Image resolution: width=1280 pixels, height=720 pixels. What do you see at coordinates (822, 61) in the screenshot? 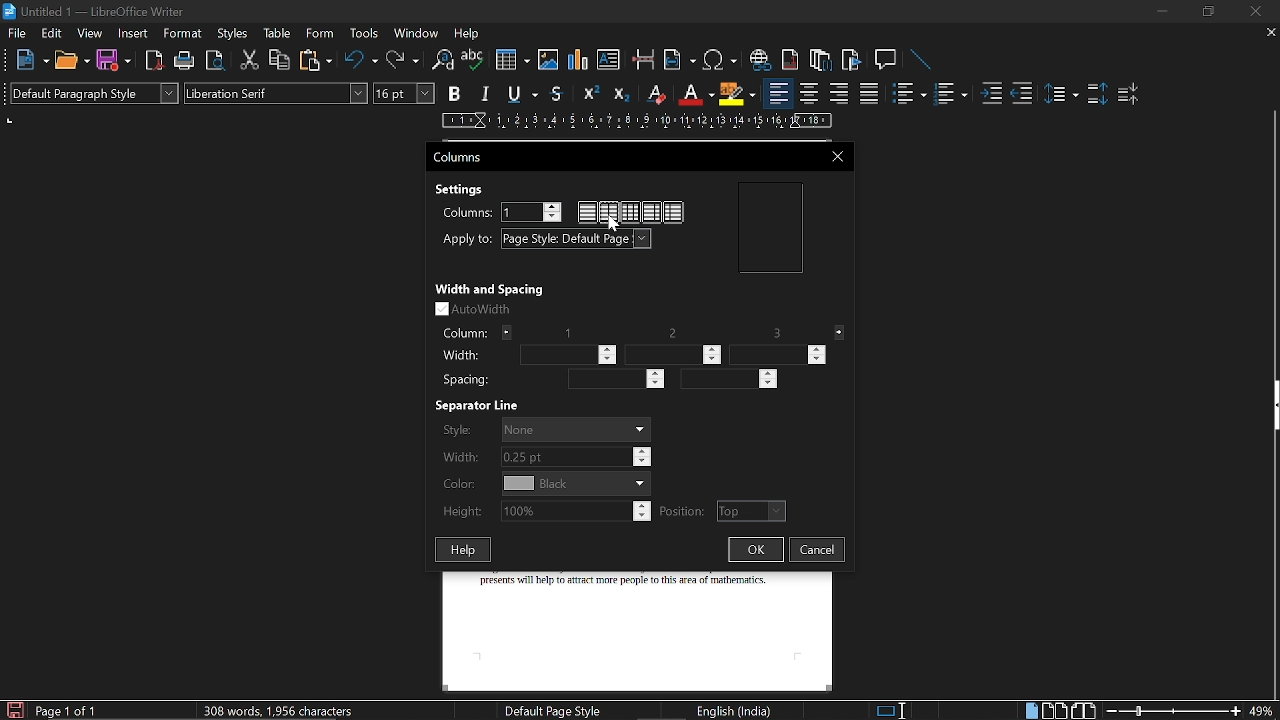
I see `Insert footnote` at bounding box center [822, 61].